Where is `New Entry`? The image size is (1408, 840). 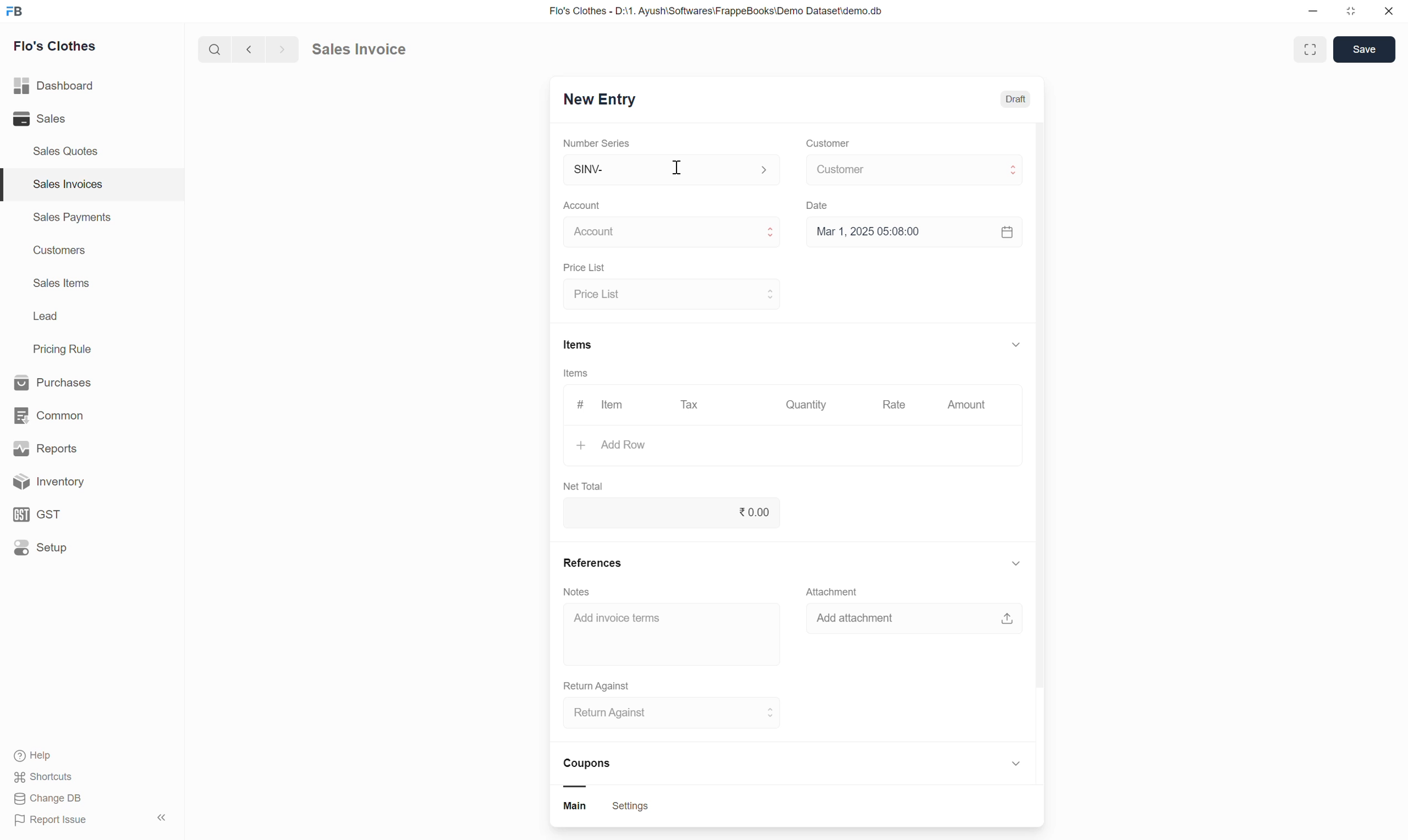 New Entry is located at coordinates (609, 100).